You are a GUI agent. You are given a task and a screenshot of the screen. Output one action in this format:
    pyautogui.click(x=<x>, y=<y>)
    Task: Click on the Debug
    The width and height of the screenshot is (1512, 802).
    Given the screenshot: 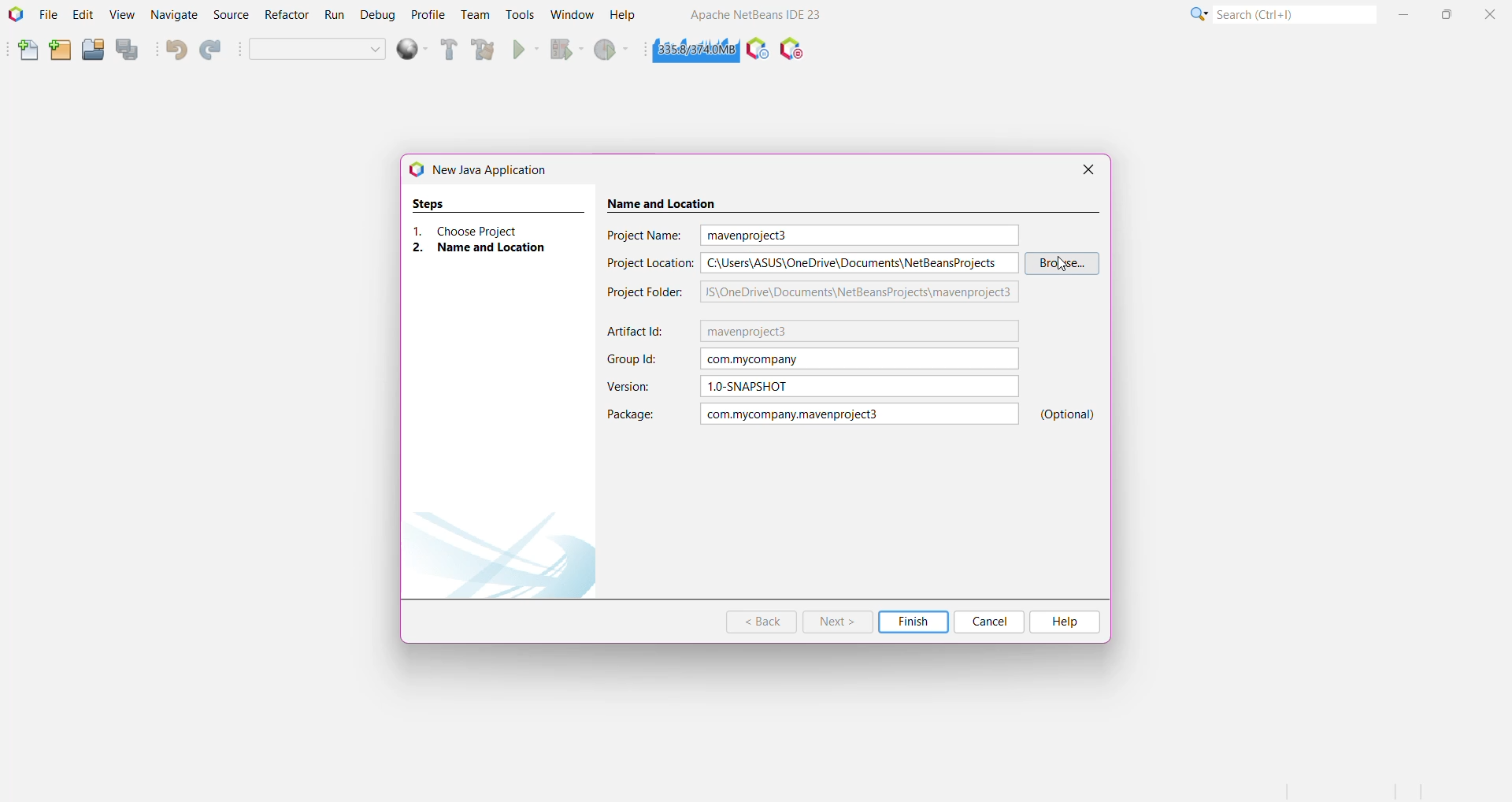 What is the action you would take?
    pyautogui.click(x=377, y=16)
    